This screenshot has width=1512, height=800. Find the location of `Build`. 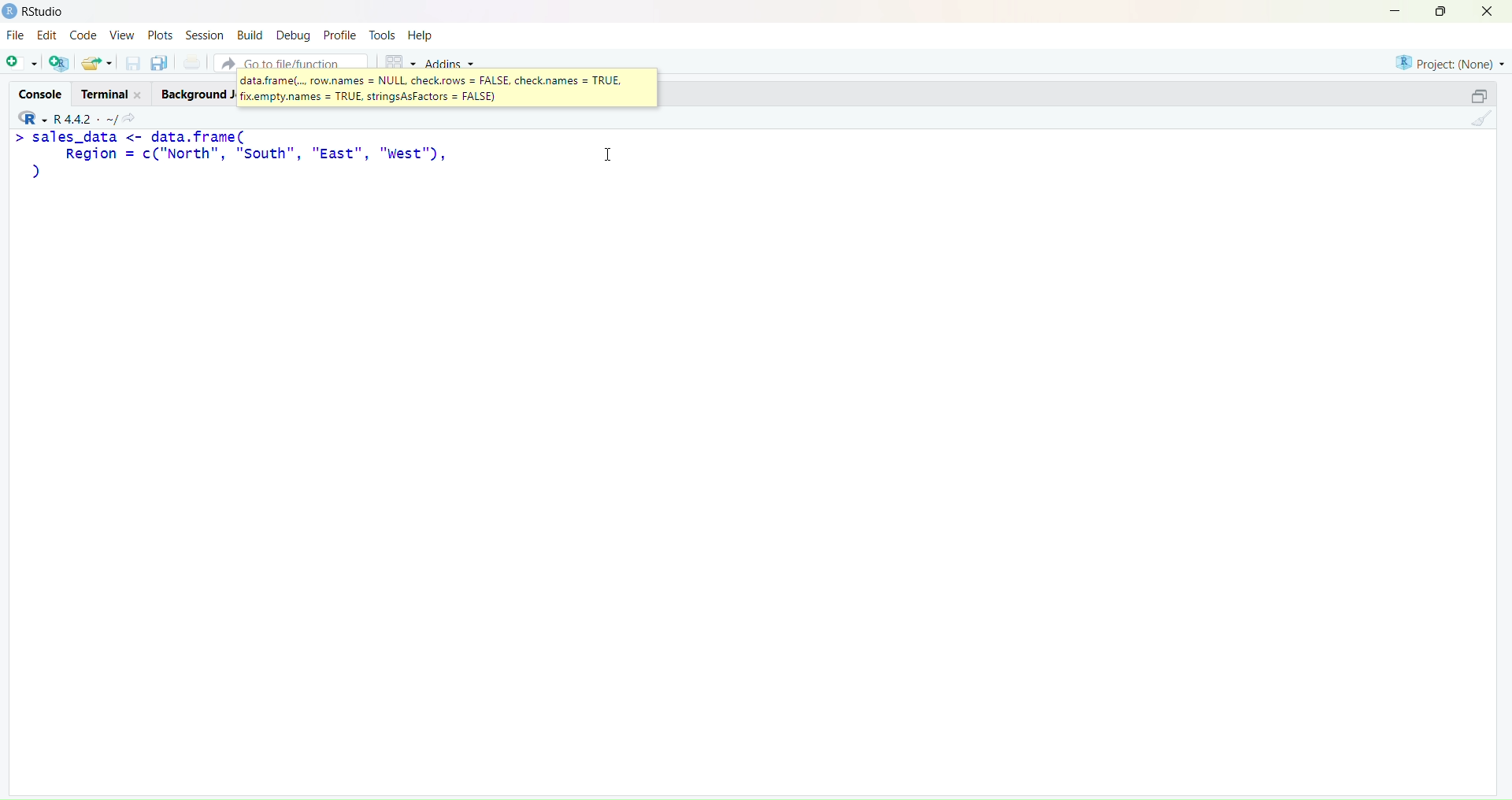

Build is located at coordinates (249, 35).